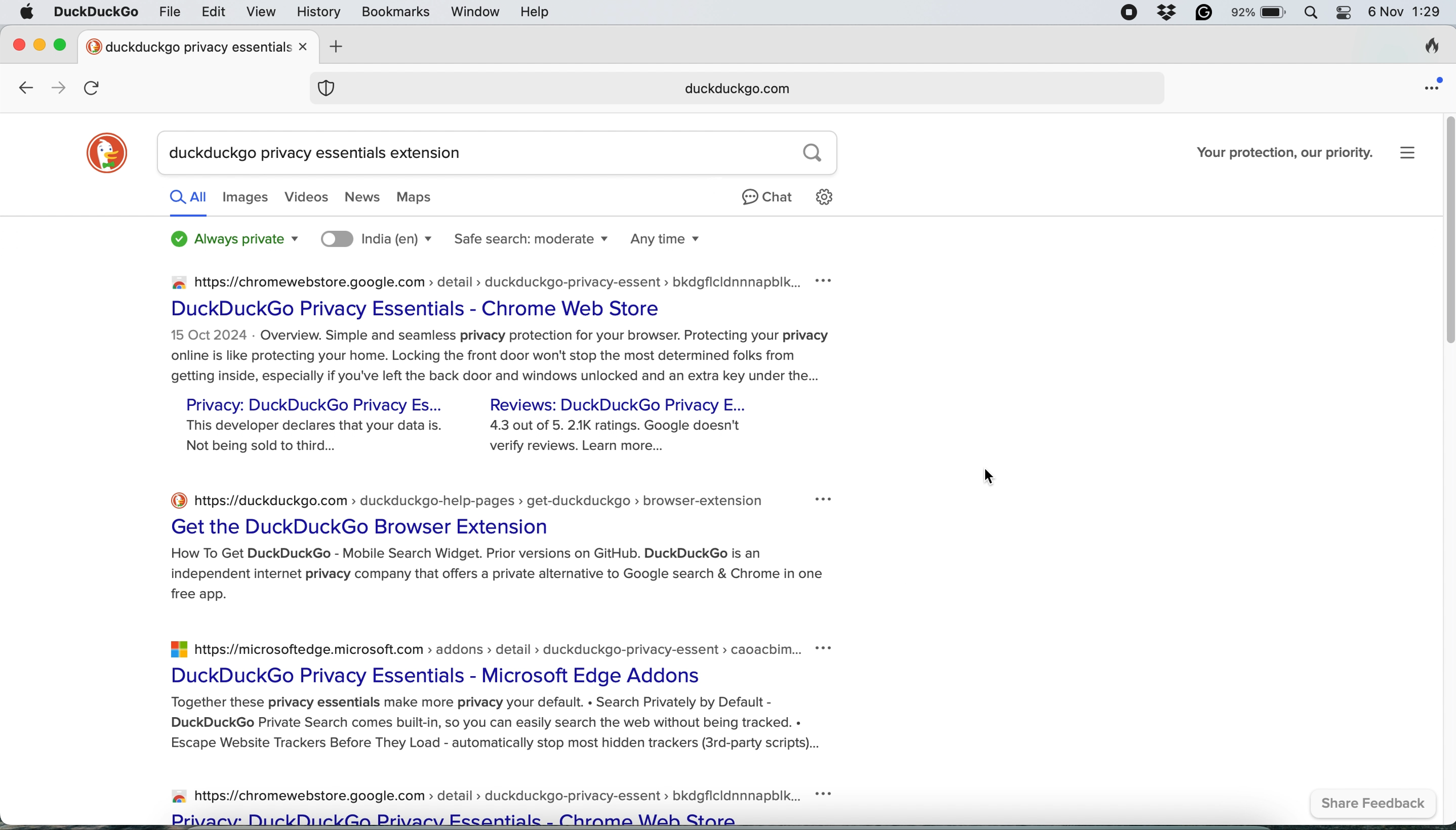 The image size is (1456, 830). Describe the element at coordinates (104, 91) in the screenshot. I see `refresh` at that location.